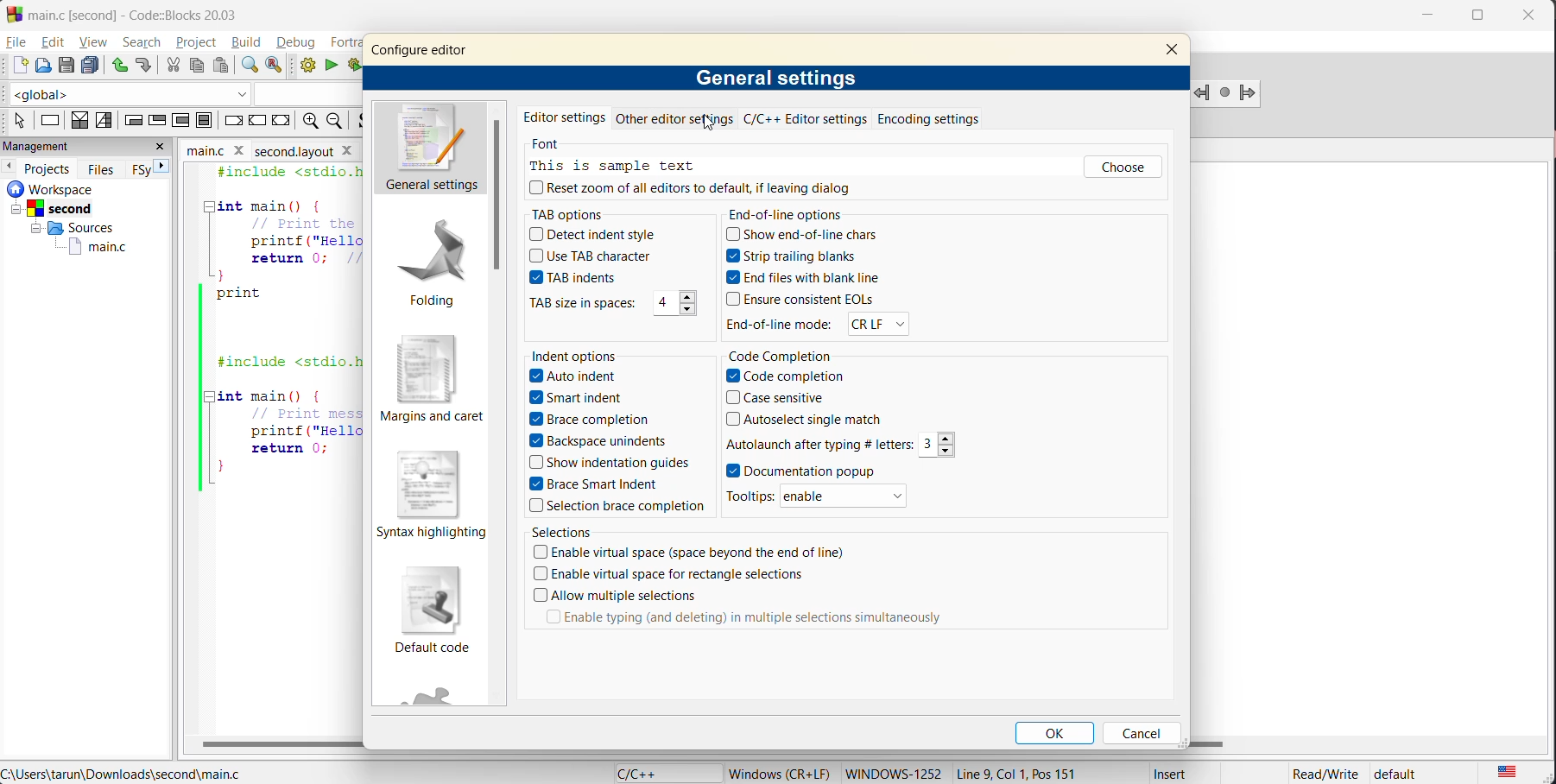  I want to click on enable, so click(845, 496).